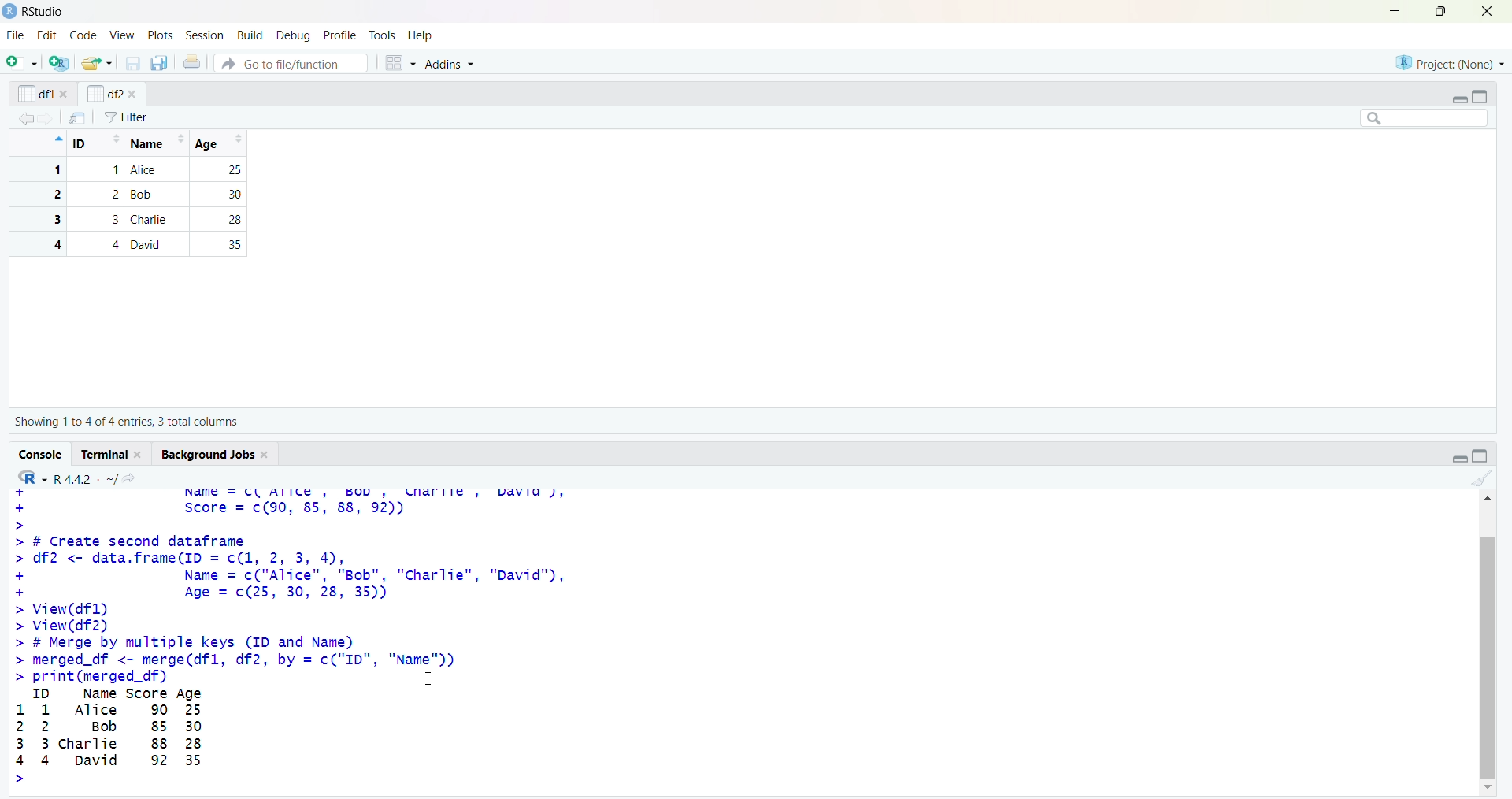 Image resolution: width=1512 pixels, height=799 pixels. What do you see at coordinates (1480, 455) in the screenshot?
I see `toggle full view` at bounding box center [1480, 455].